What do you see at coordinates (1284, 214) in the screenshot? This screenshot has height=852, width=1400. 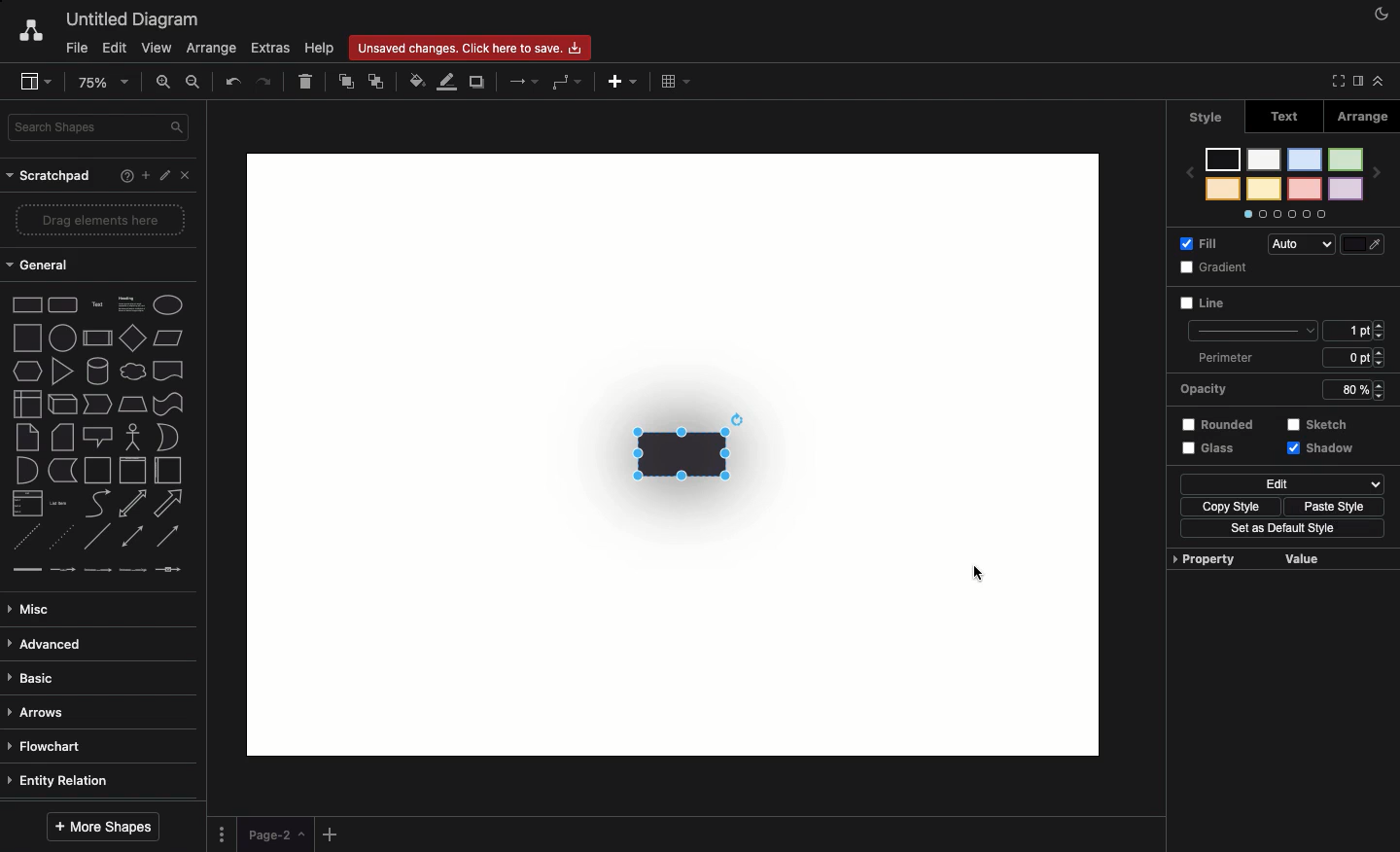 I see `Options` at bounding box center [1284, 214].